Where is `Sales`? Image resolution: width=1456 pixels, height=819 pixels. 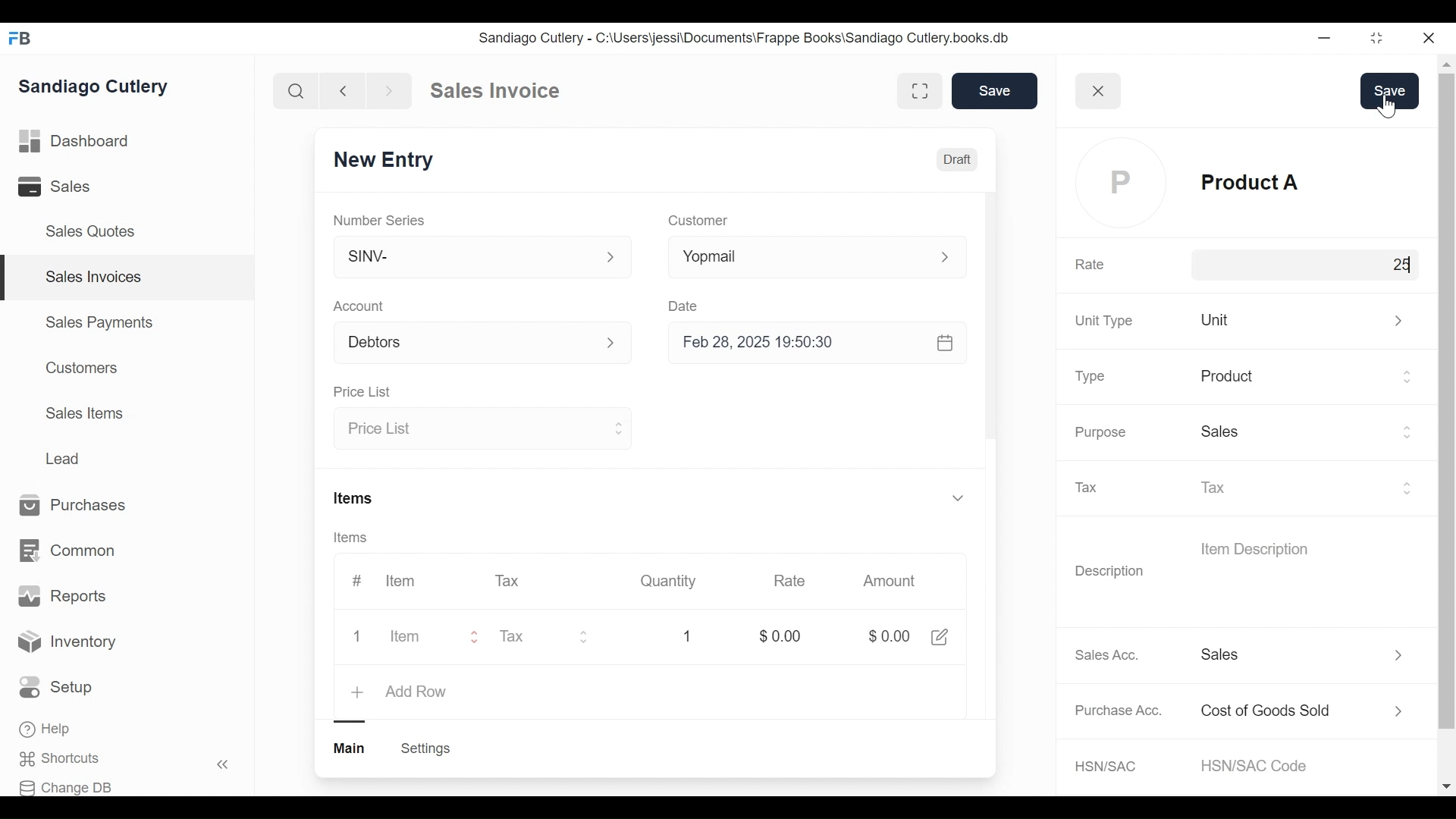 Sales is located at coordinates (57, 186).